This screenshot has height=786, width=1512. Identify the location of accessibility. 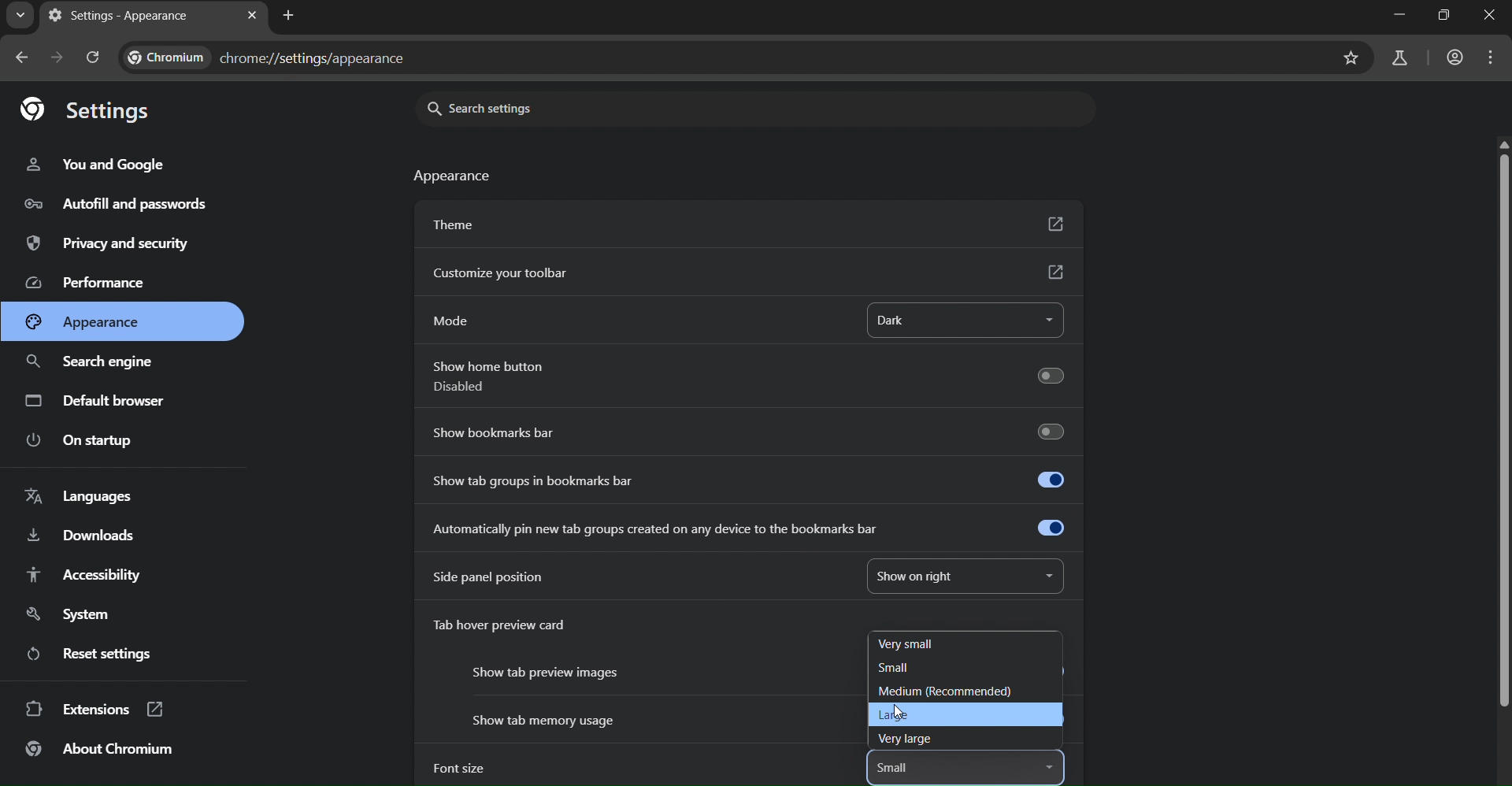
(100, 578).